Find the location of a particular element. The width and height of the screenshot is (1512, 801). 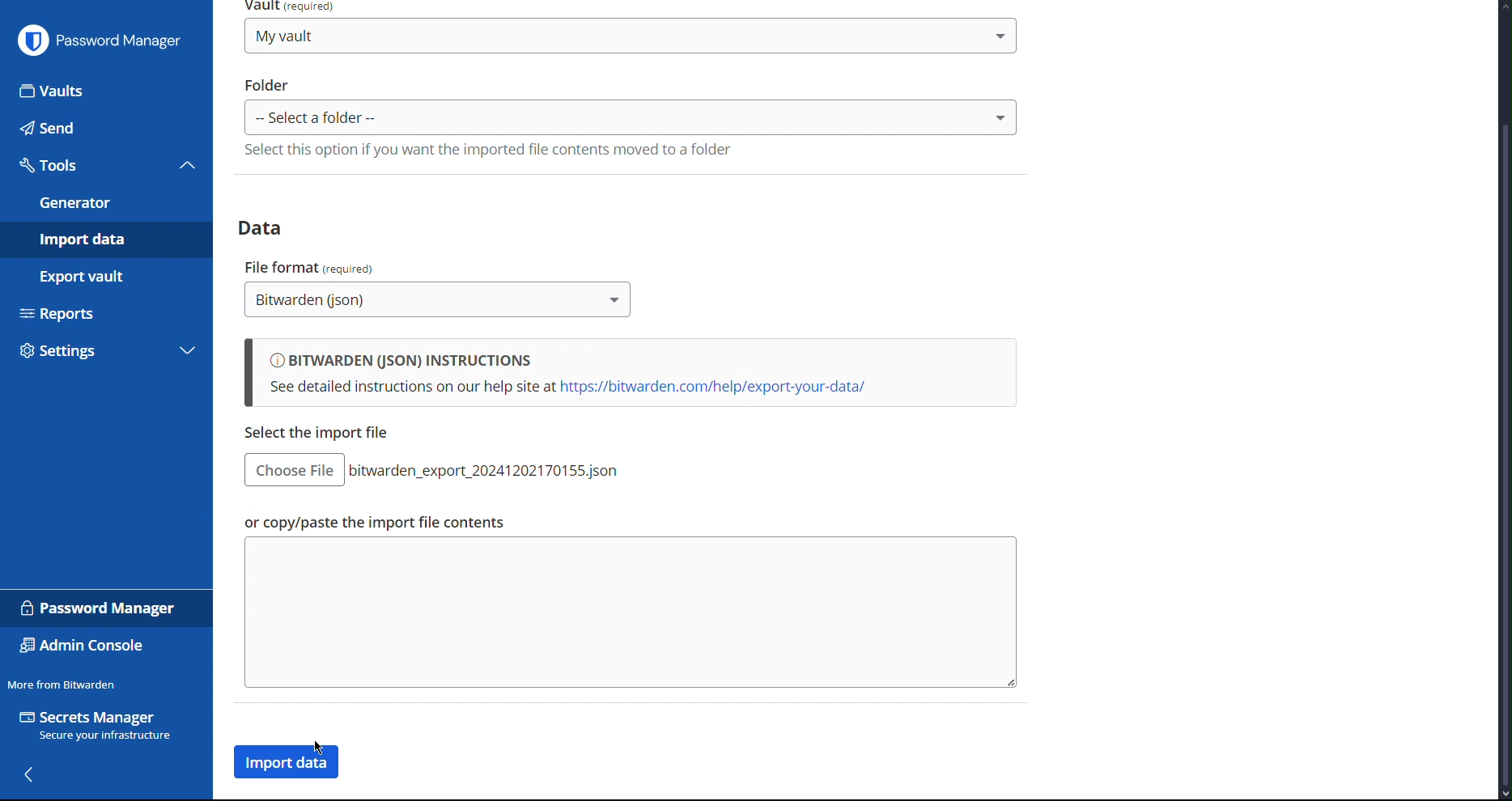

Data is located at coordinates (266, 227).